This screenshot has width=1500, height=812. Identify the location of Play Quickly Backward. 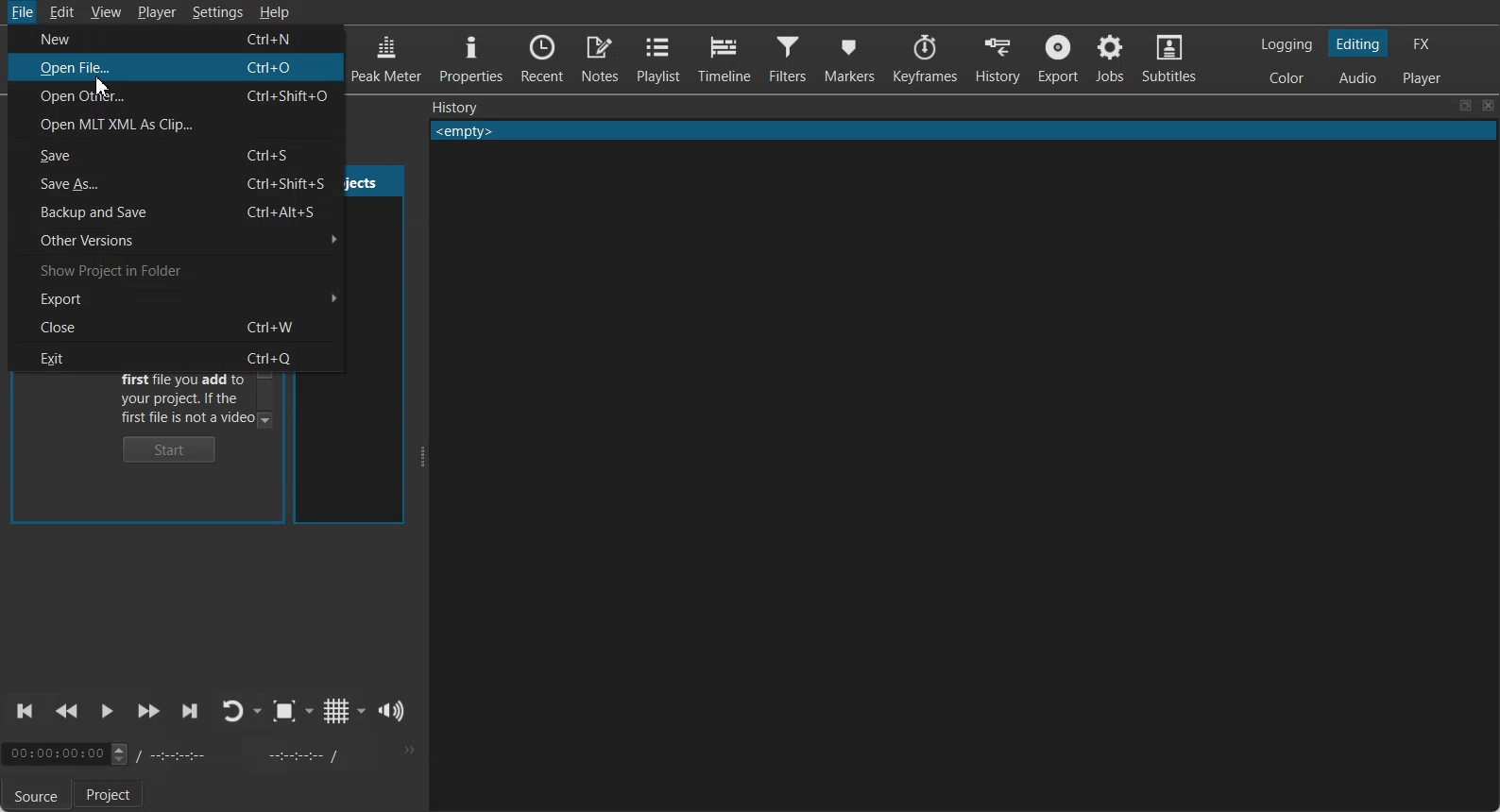
(67, 712).